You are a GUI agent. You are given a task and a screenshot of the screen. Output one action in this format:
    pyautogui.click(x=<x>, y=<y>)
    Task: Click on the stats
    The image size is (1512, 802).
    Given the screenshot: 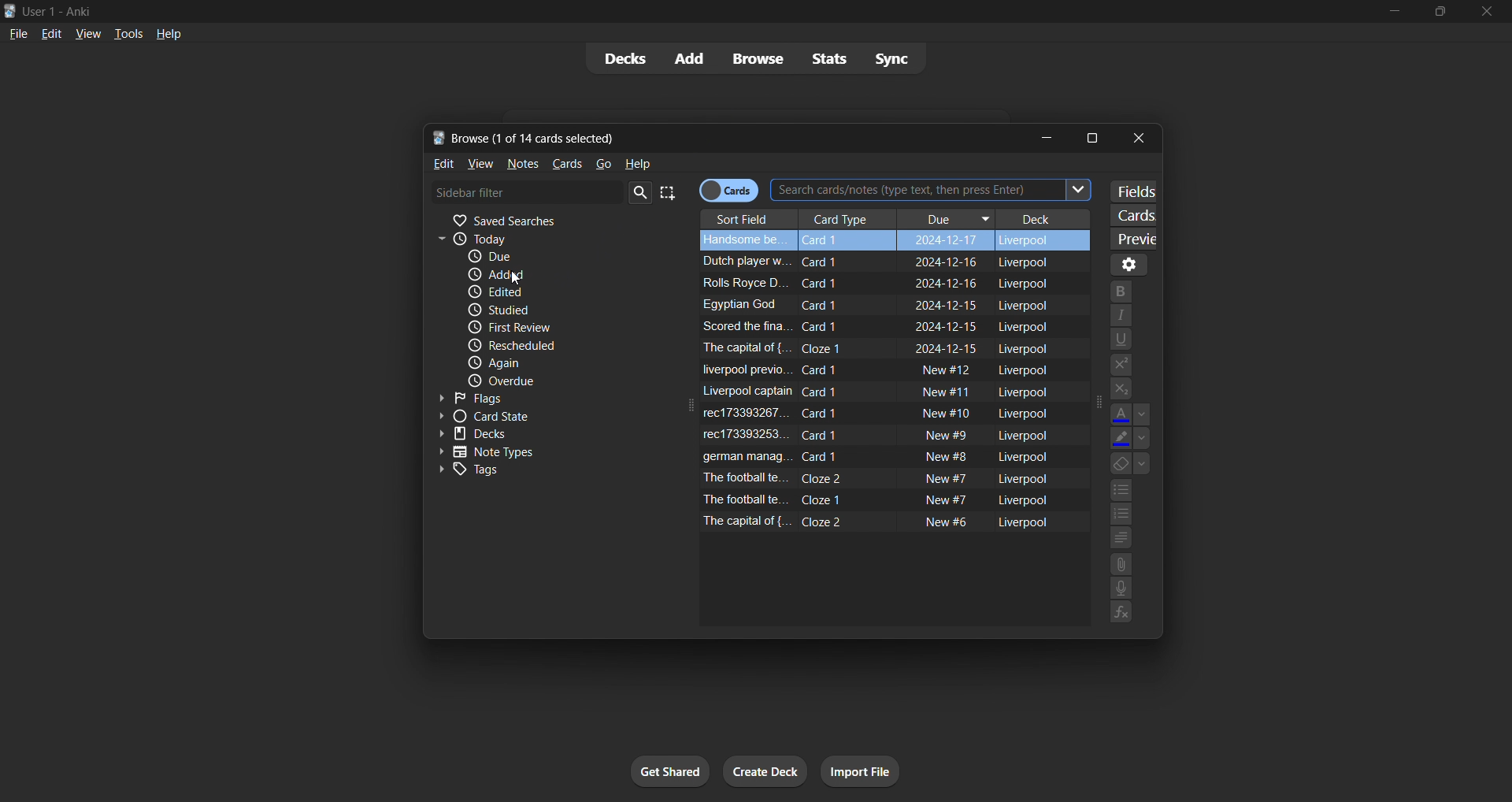 What is the action you would take?
    pyautogui.click(x=830, y=58)
    